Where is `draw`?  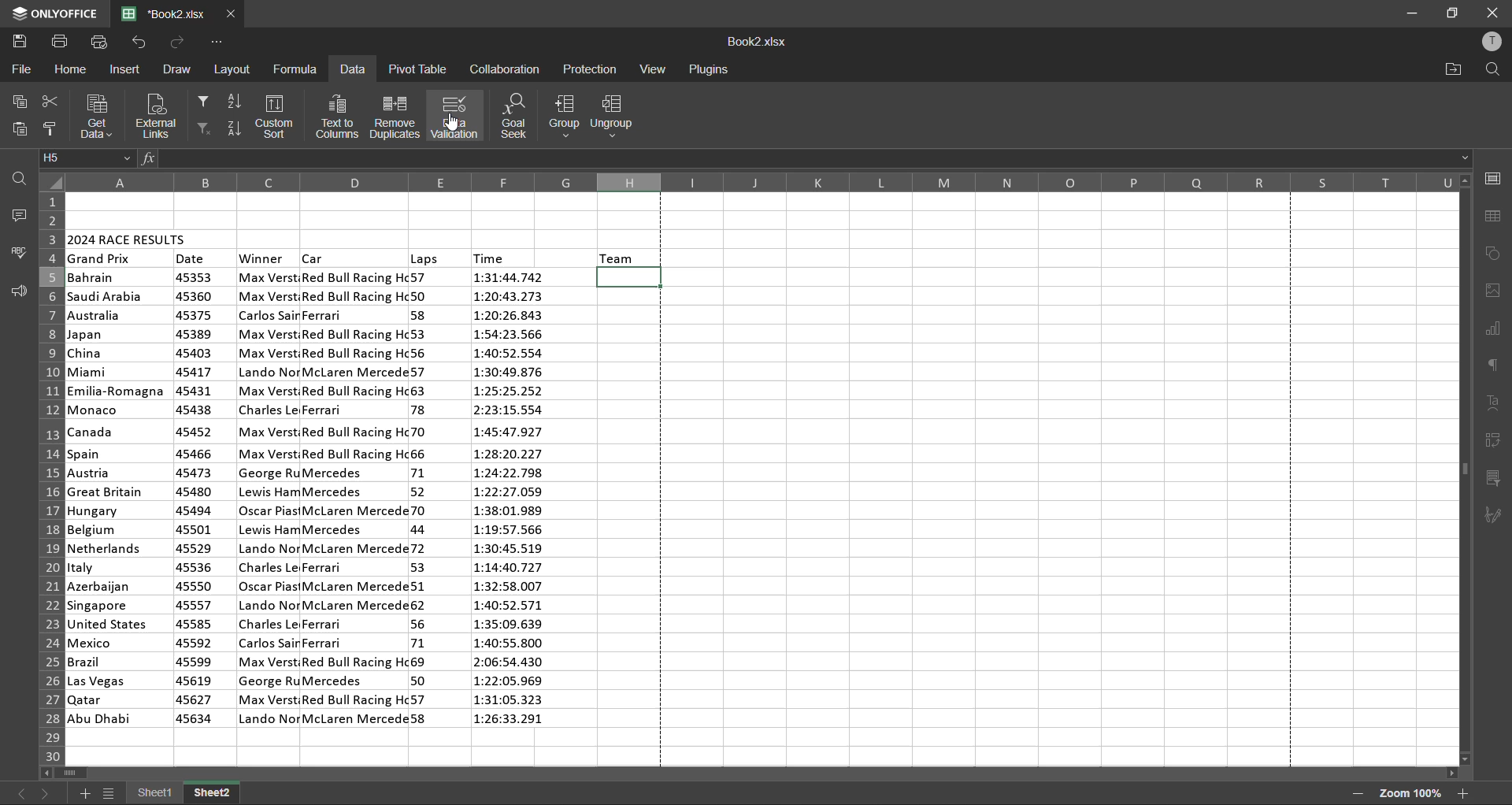
draw is located at coordinates (178, 67).